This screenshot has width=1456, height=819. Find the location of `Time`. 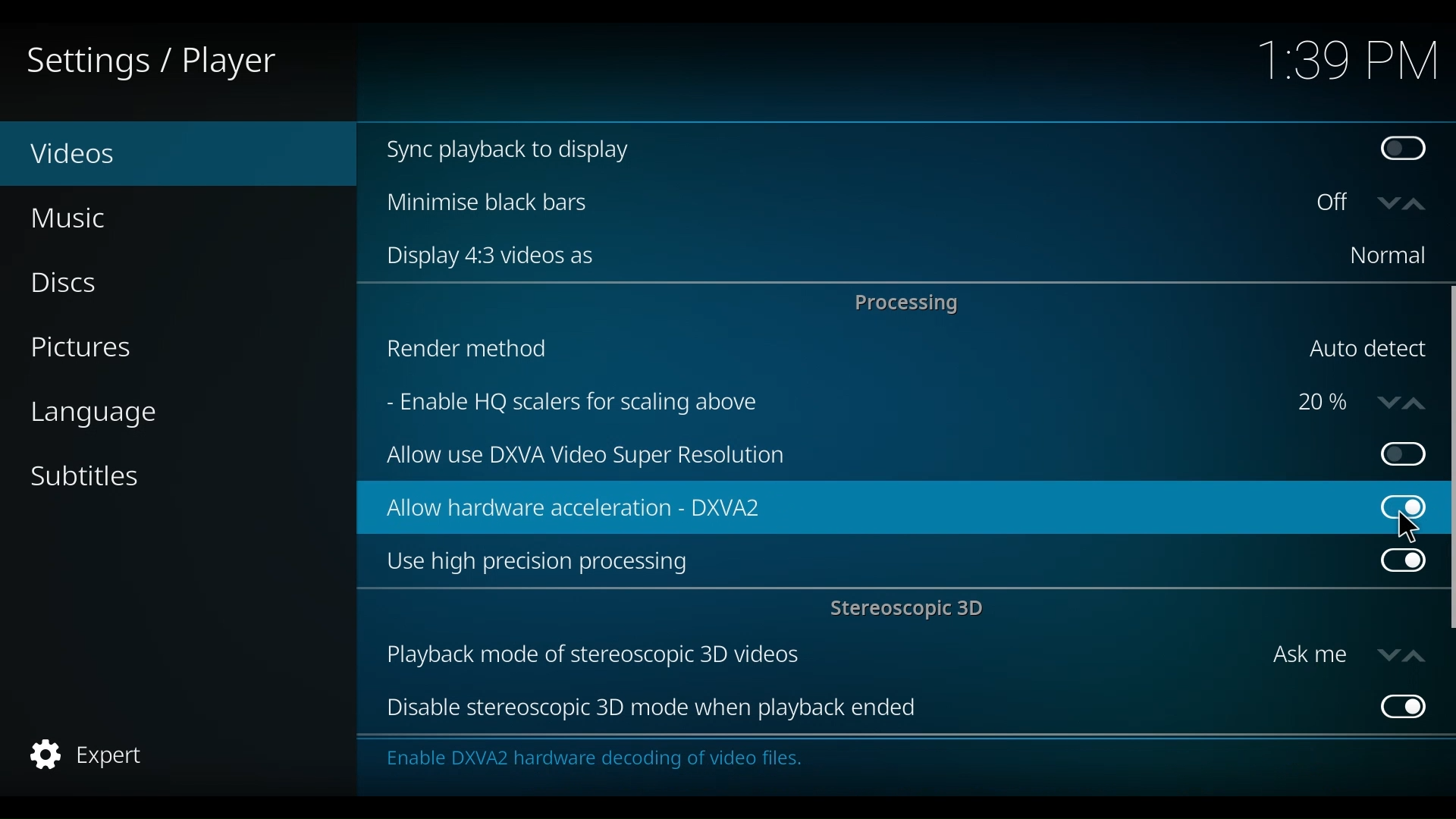

Time is located at coordinates (1348, 63).